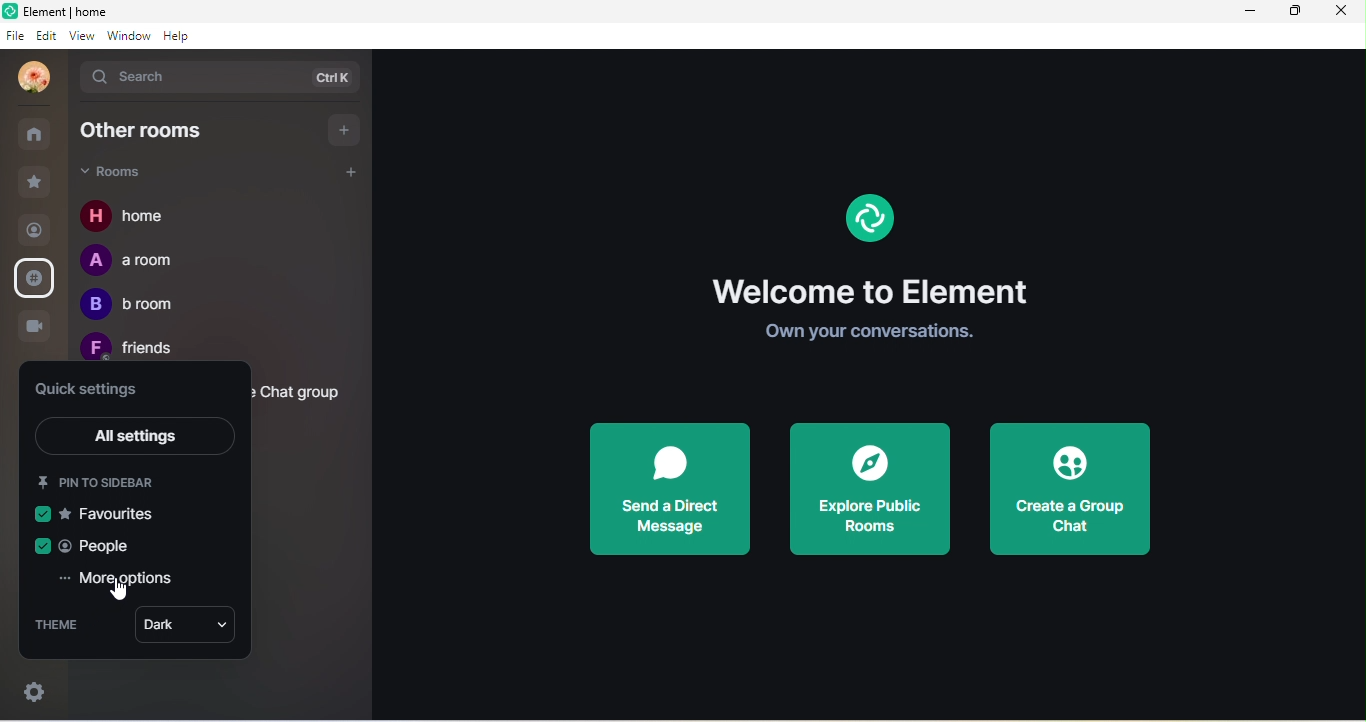 This screenshot has width=1366, height=722. What do you see at coordinates (876, 313) in the screenshot?
I see `welcome to element own your conversation` at bounding box center [876, 313].